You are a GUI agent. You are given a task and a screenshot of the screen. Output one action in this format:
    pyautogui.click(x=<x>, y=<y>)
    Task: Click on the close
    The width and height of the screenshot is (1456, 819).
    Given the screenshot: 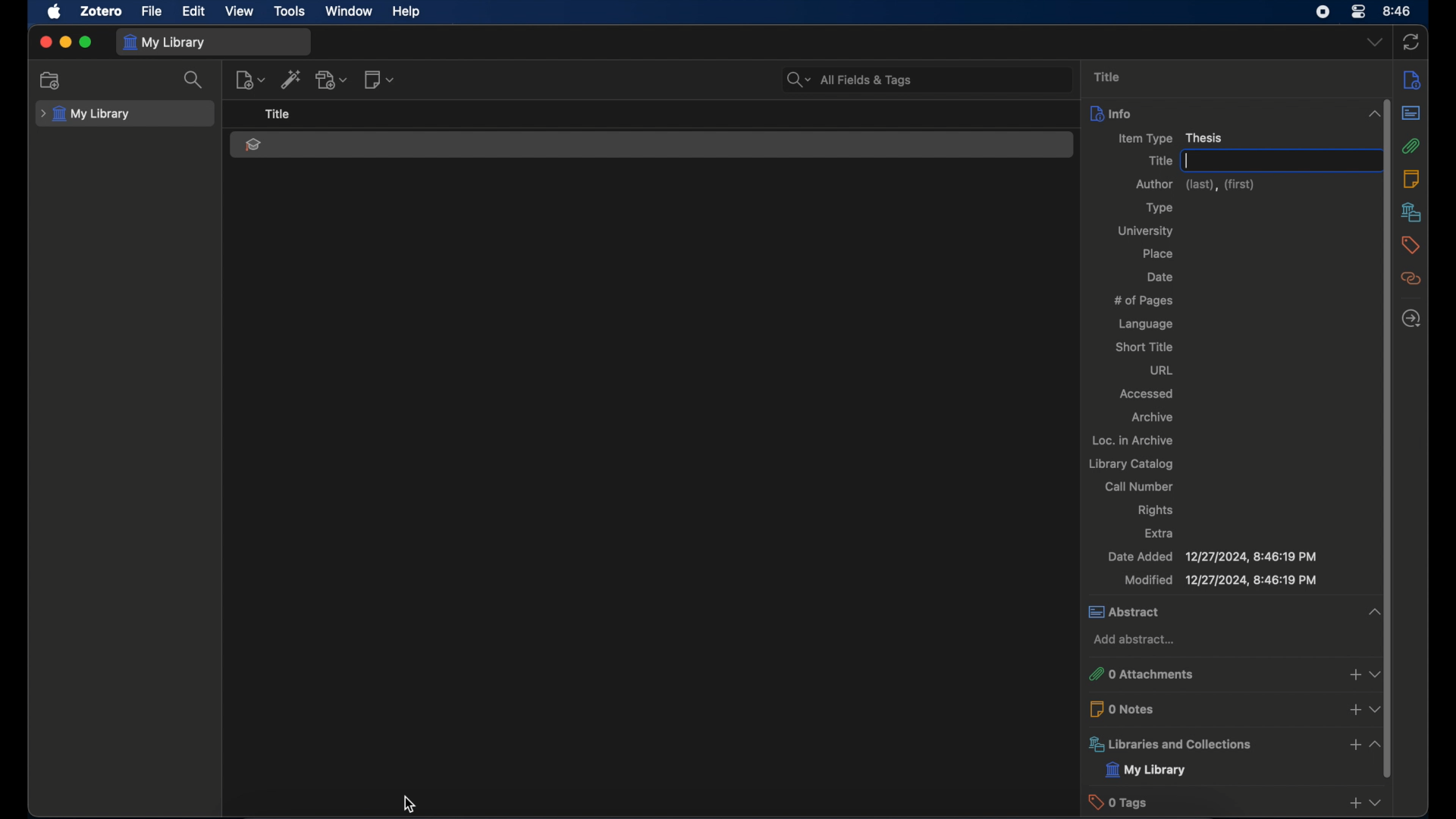 What is the action you would take?
    pyautogui.click(x=45, y=42)
    